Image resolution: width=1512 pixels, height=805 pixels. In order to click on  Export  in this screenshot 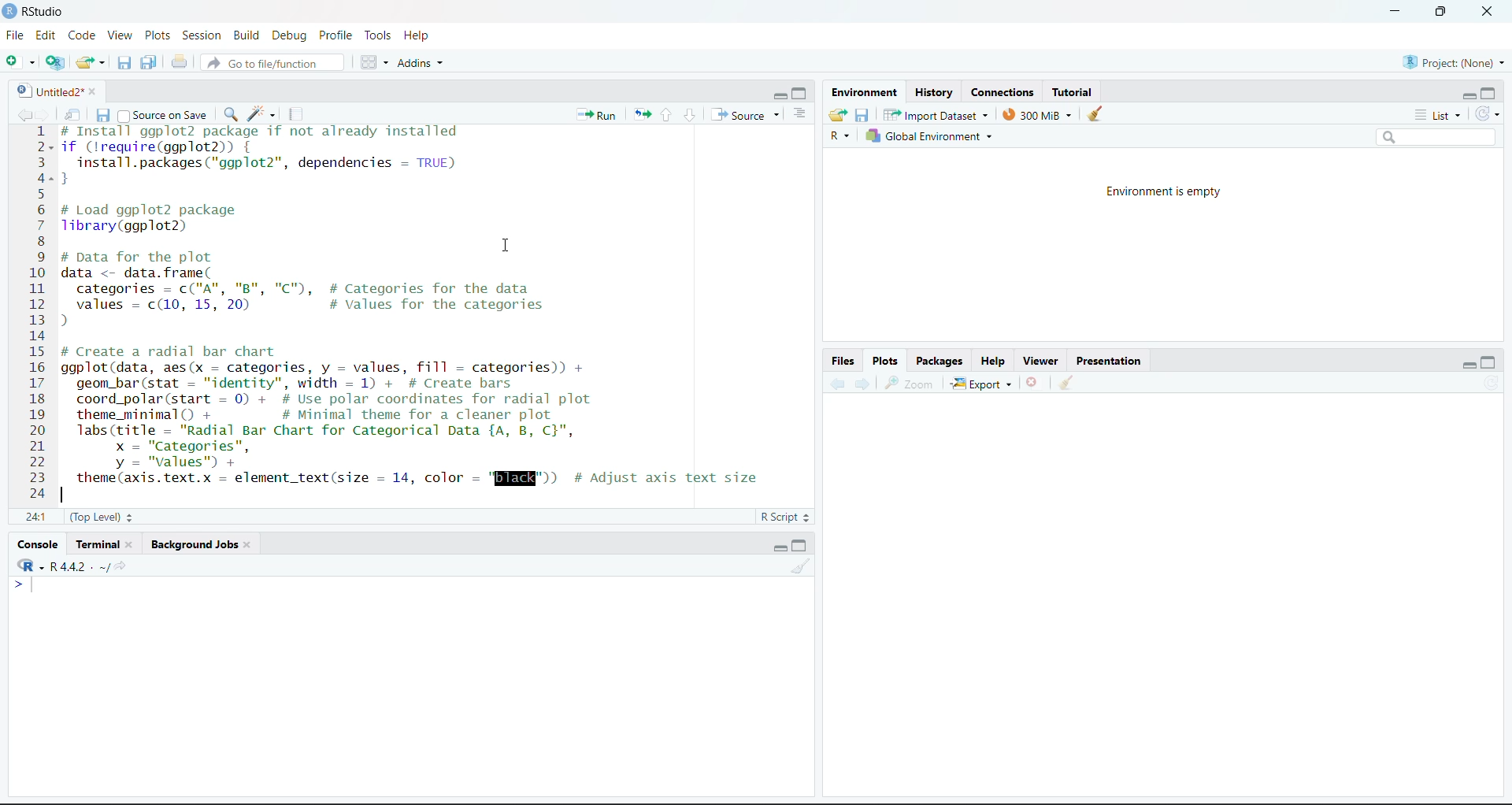, I will do `click(980, 382)`.